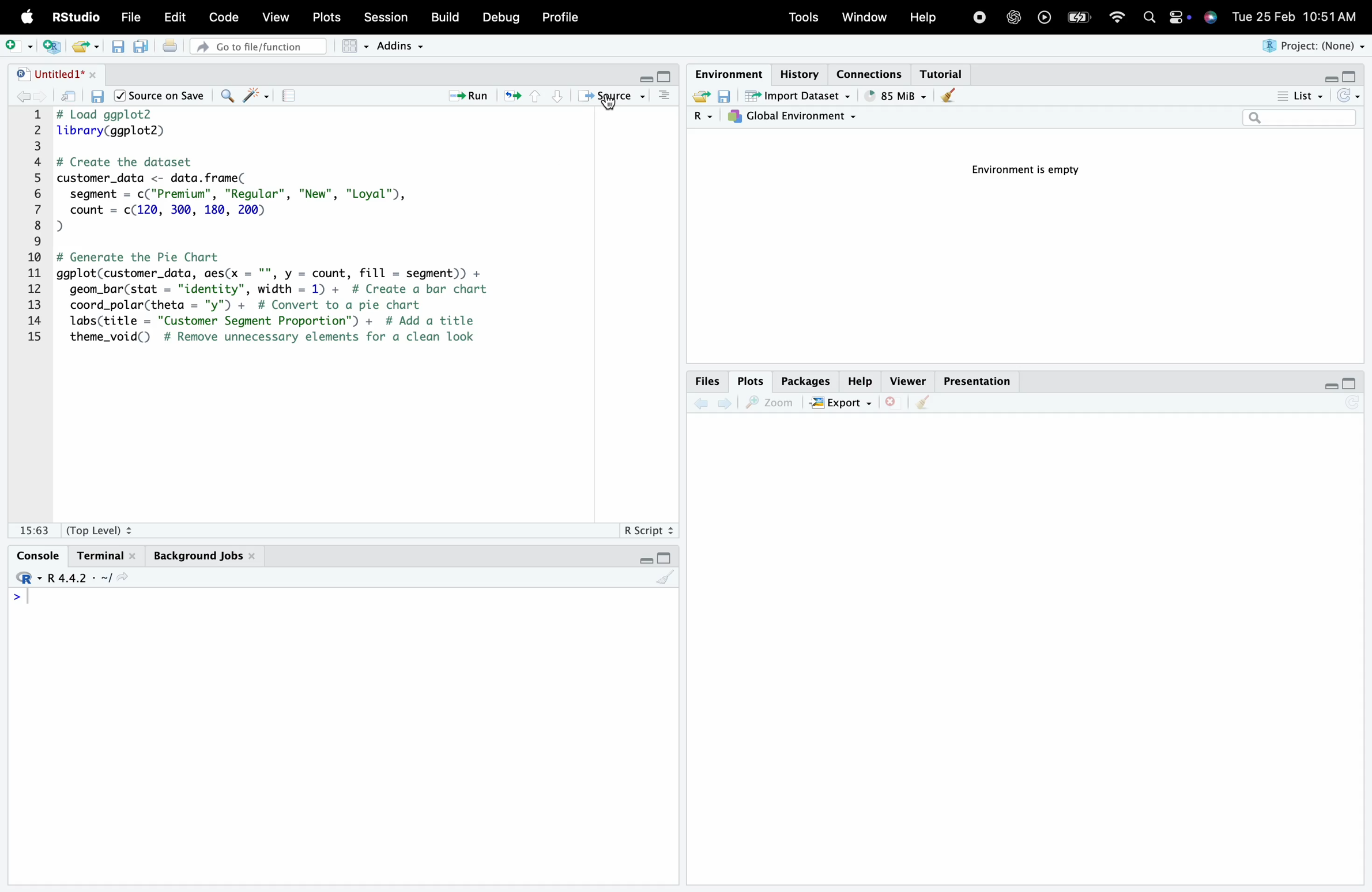 The width and height of the screenshot is (1372, 892). What do you see at coordinates (1299, 16) in the screenshot?
I see `Tue 25 Feb 10:51AM` at bounding box center [1299, 16].